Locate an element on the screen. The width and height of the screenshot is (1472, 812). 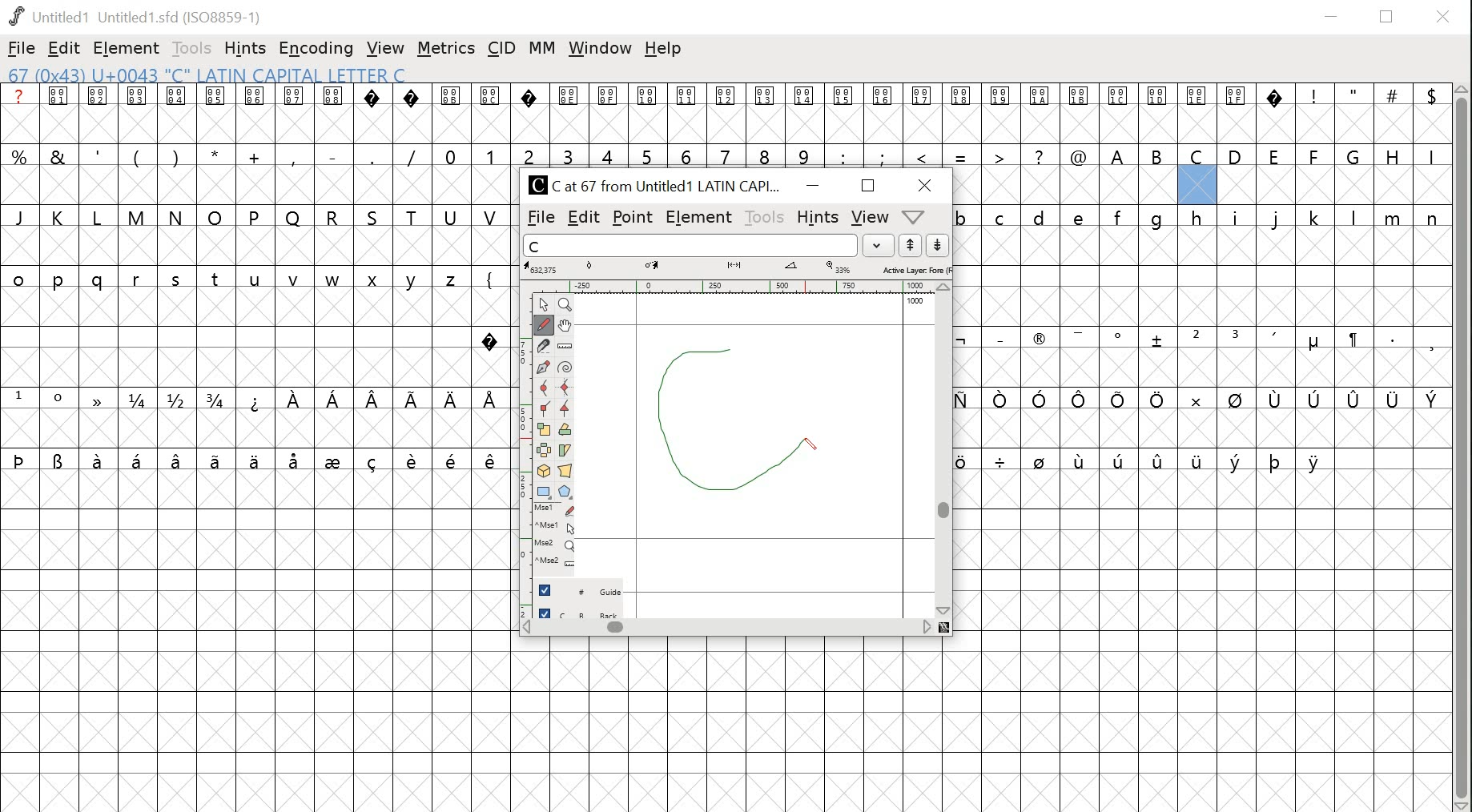
Untitled1 Untitled 1.sfd (IS08859-1) is located at coordinates (138, 16).